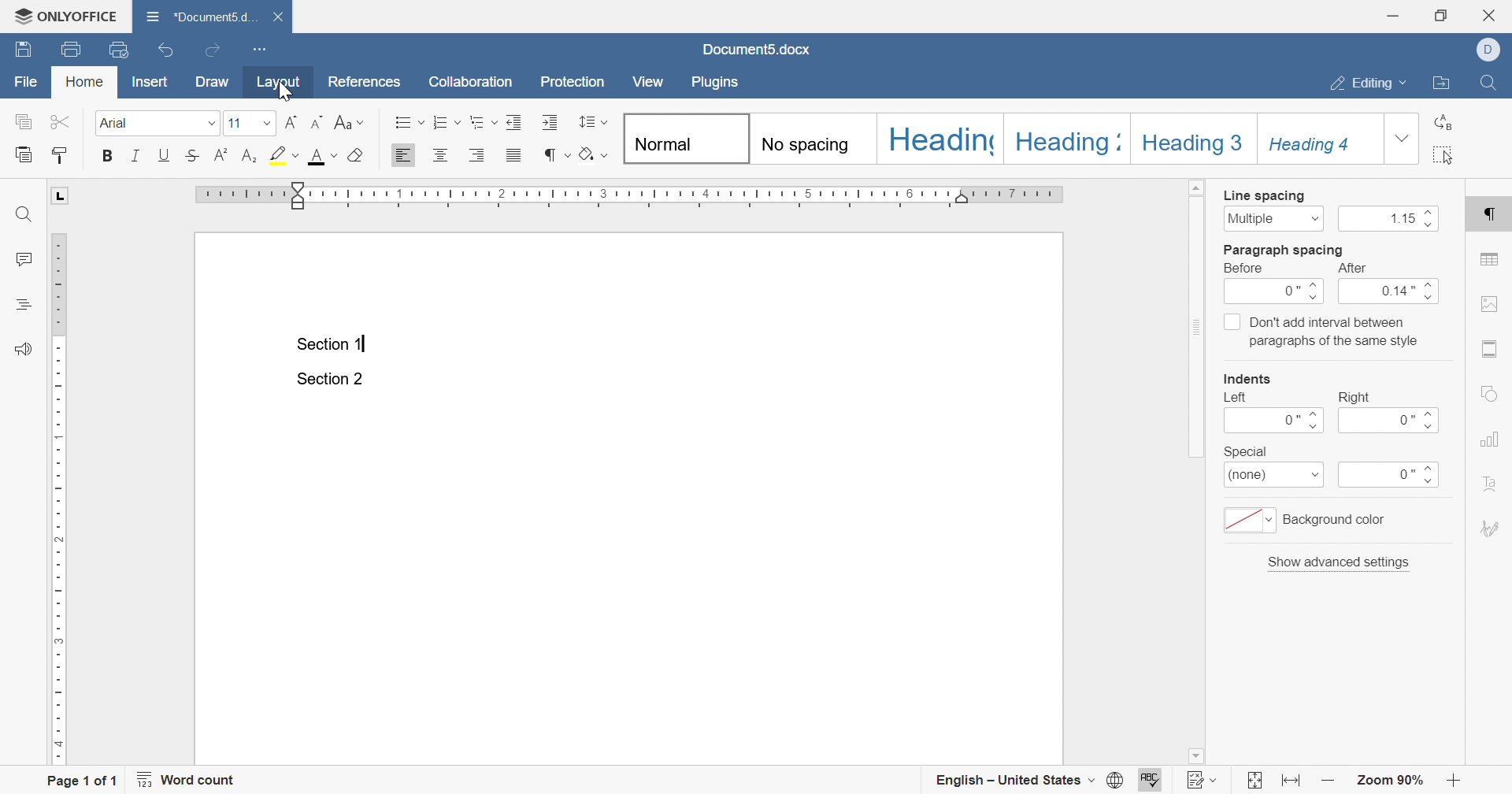  What do you see at coordinates (85, 82) in the screenshot?
I see `home` at bounding box center [85, 82].